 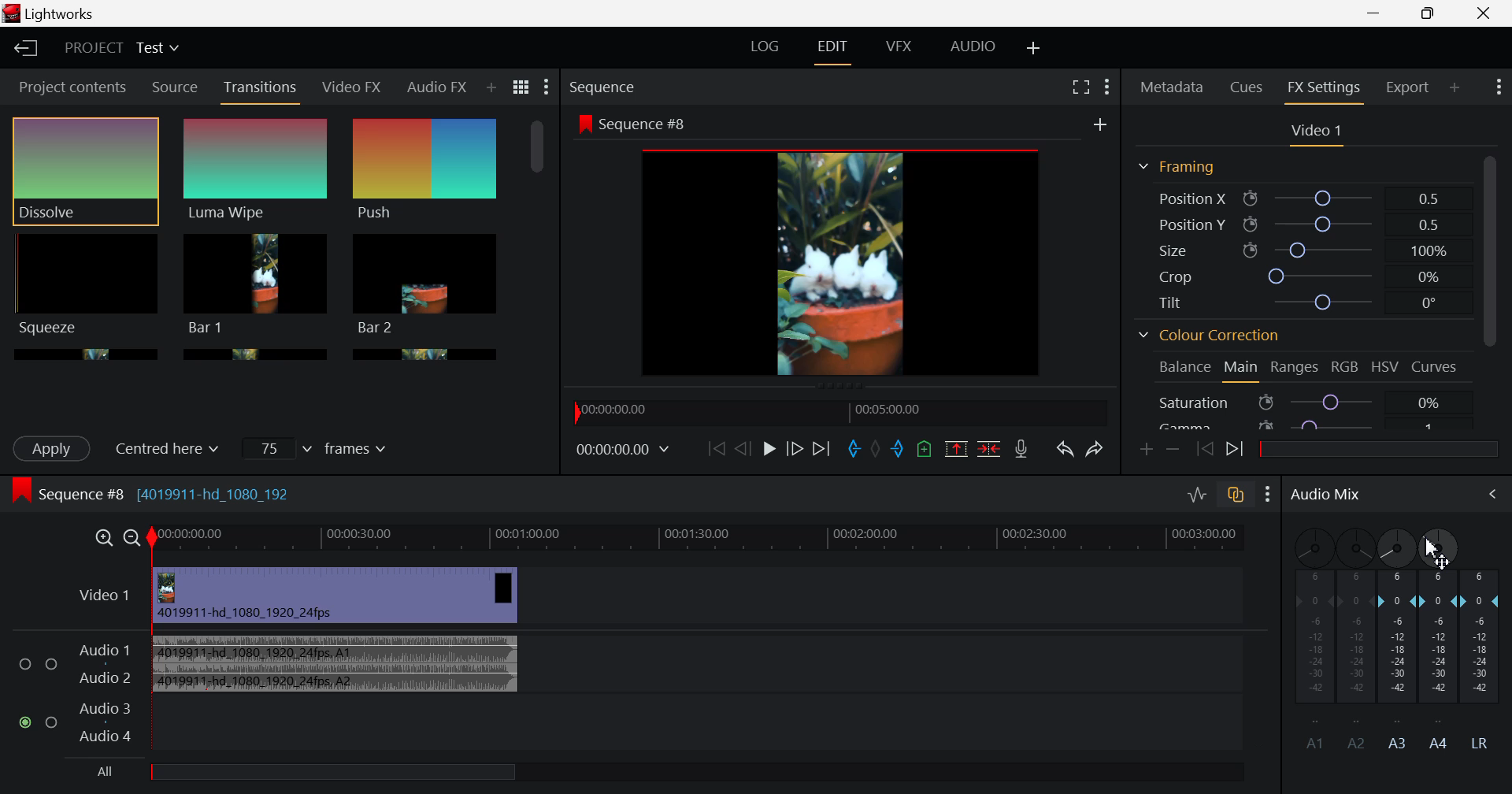 I want to click on Apply, so click(x=54, y=448).